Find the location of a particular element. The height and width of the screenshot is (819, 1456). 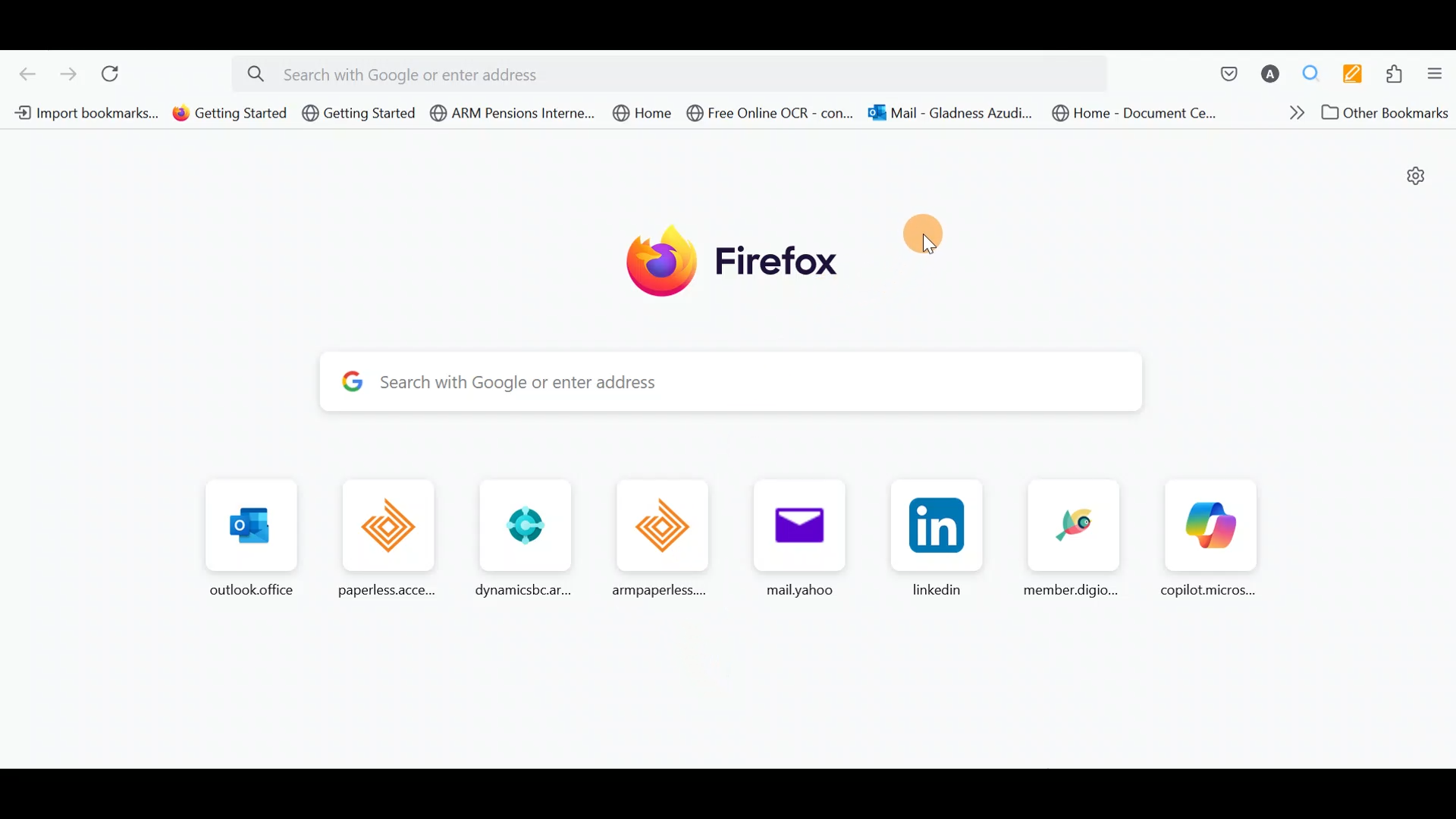

Firefox logo is located at coordinates (734, 256).